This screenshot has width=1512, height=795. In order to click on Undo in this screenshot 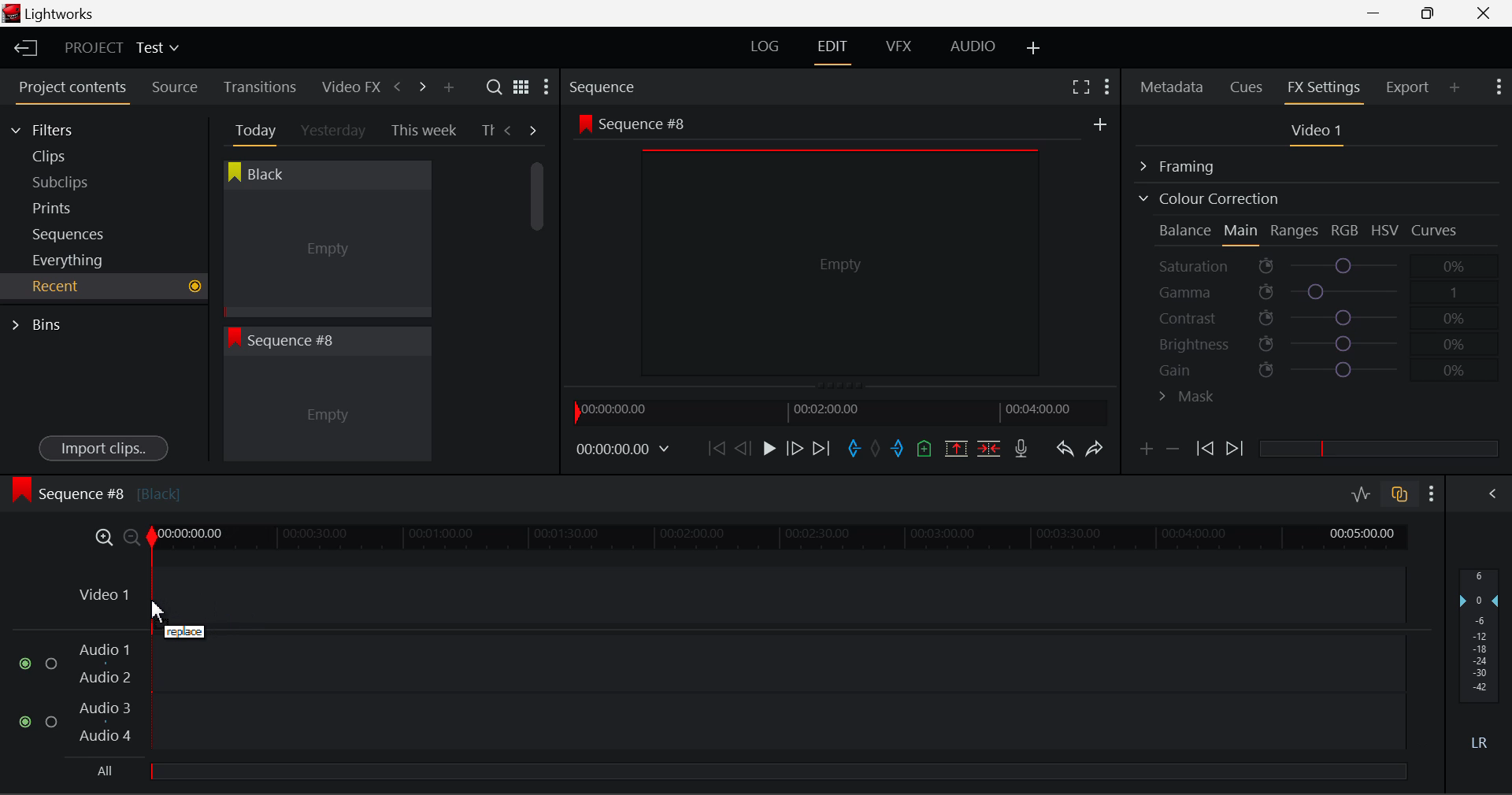, I will do `click(1064, 452)`.